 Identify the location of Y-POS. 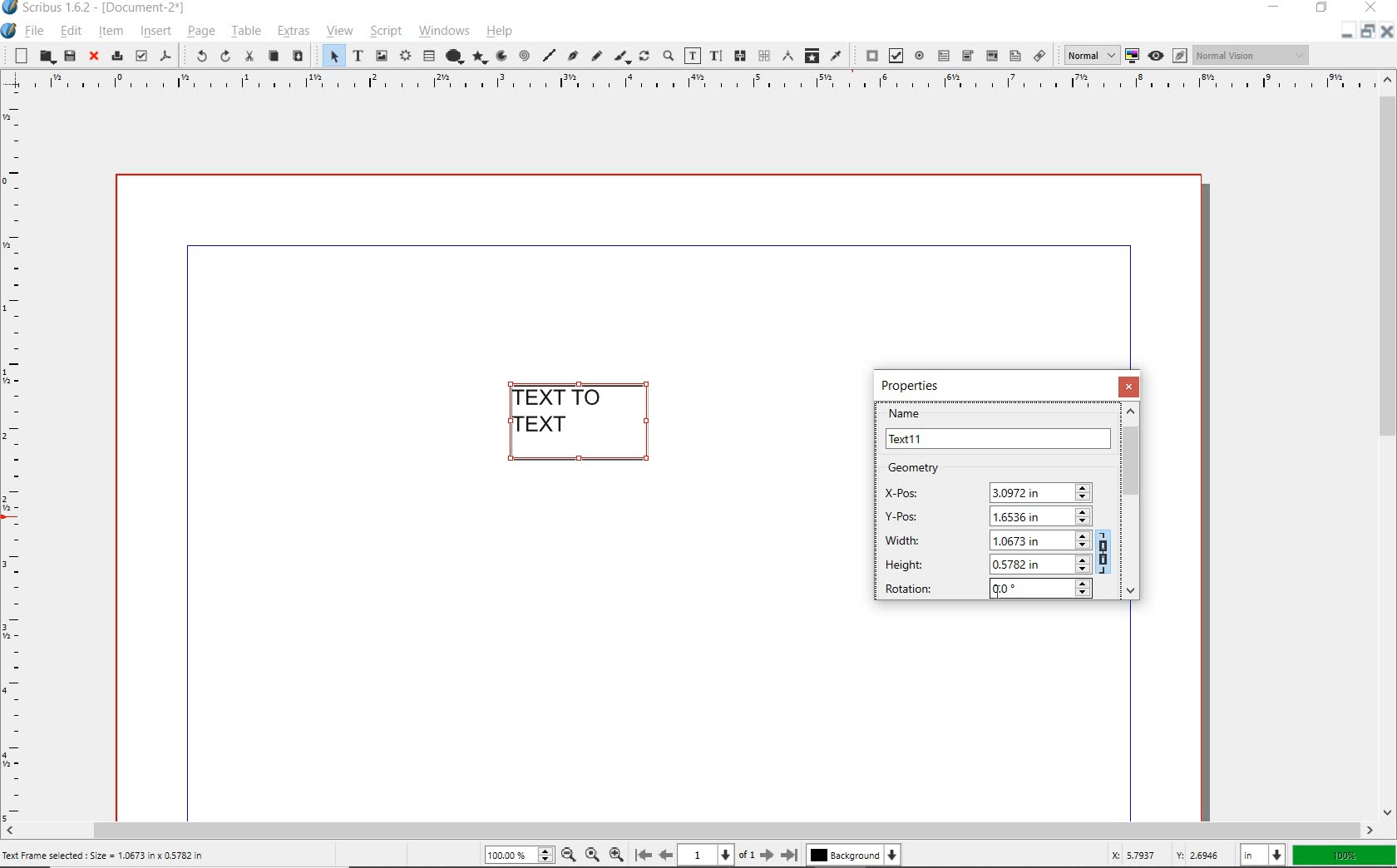
(984, 515).